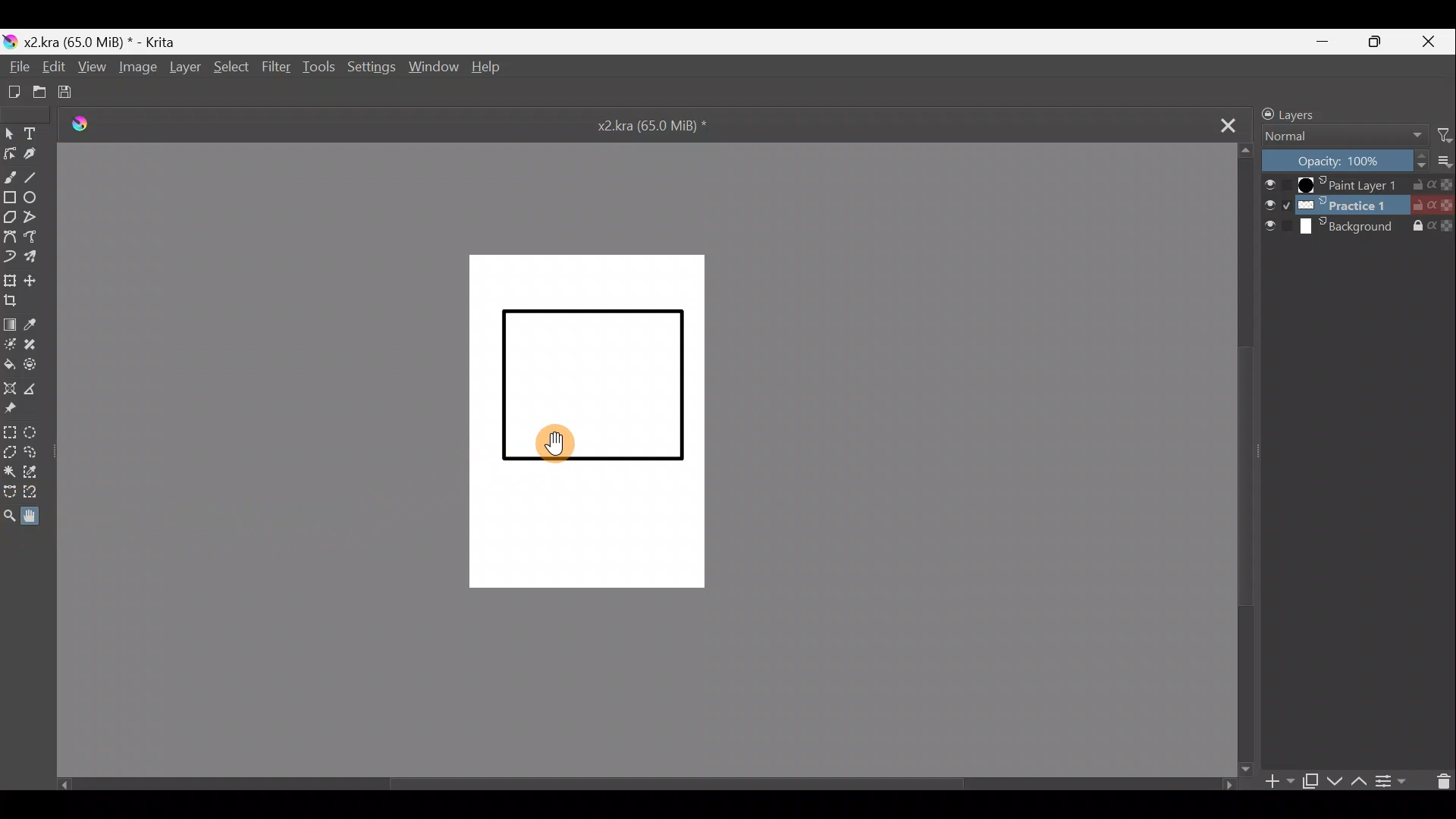  Describe the element at coordinates (42, 493) in the screenshot. I see `Magnetic curve selection tool` at that location.